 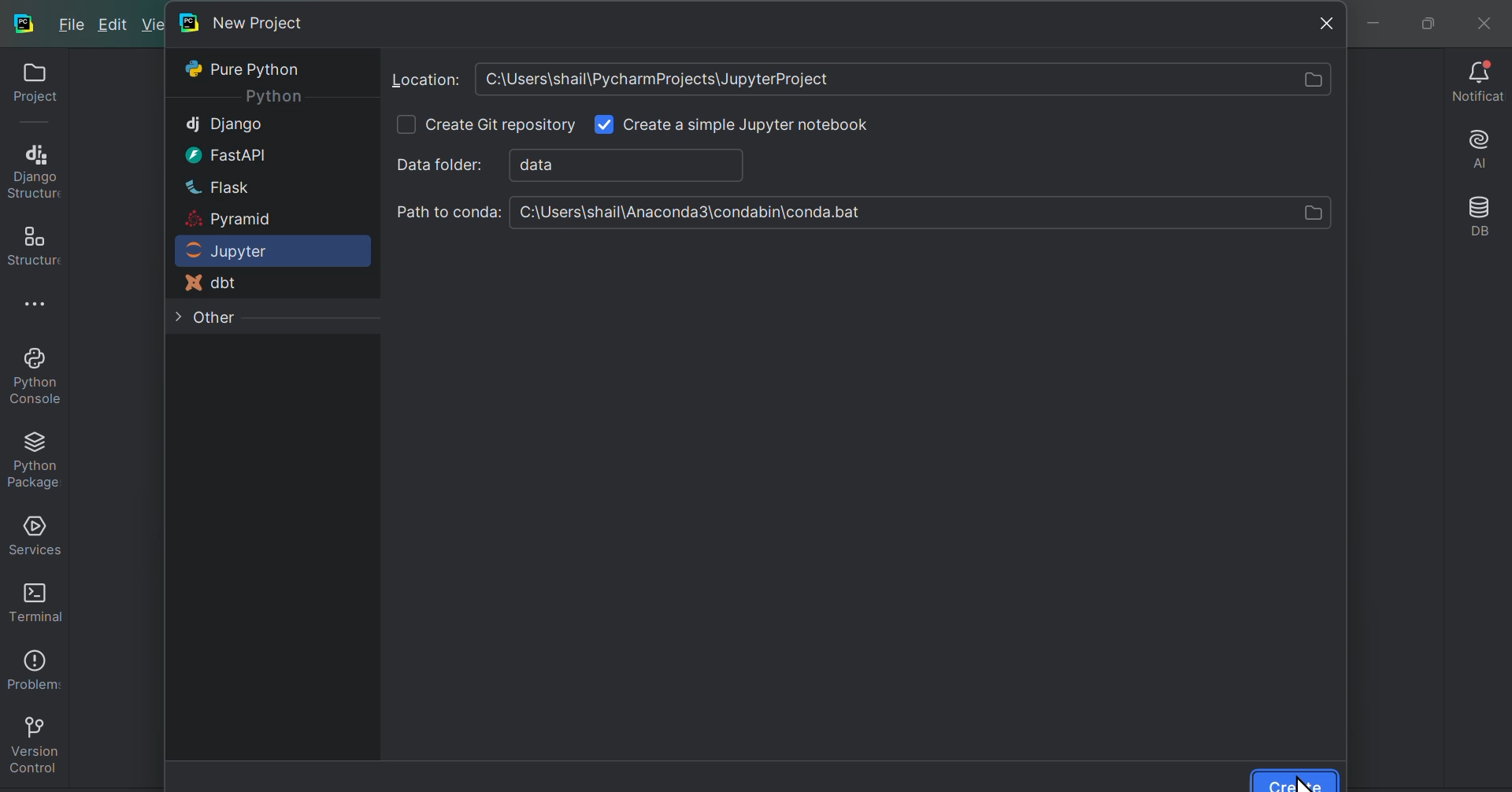 I want to click on Path to conda, so click(x=861, y=212).